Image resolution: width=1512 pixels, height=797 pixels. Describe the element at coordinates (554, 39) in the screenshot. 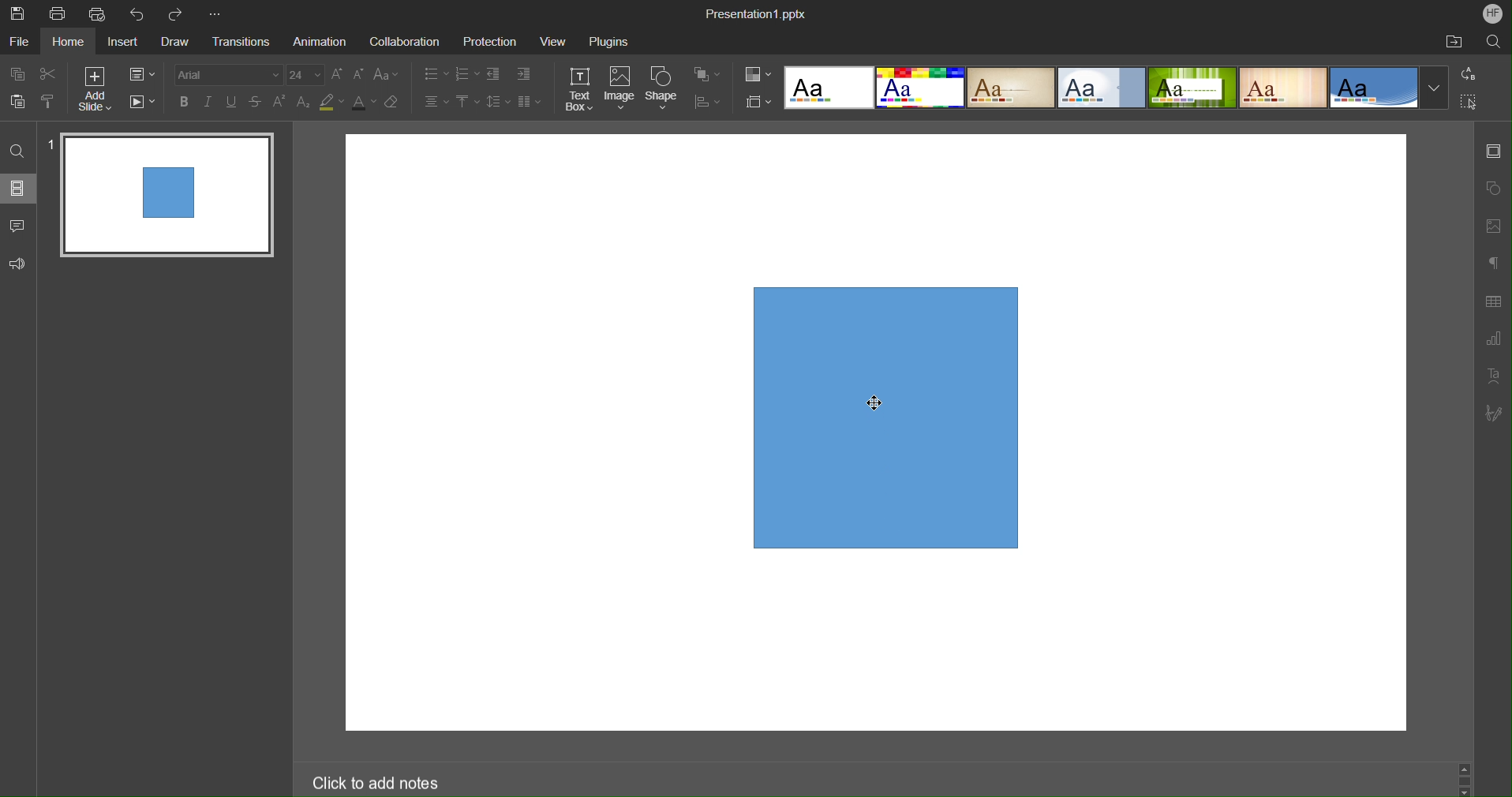

I see `View` at that location.